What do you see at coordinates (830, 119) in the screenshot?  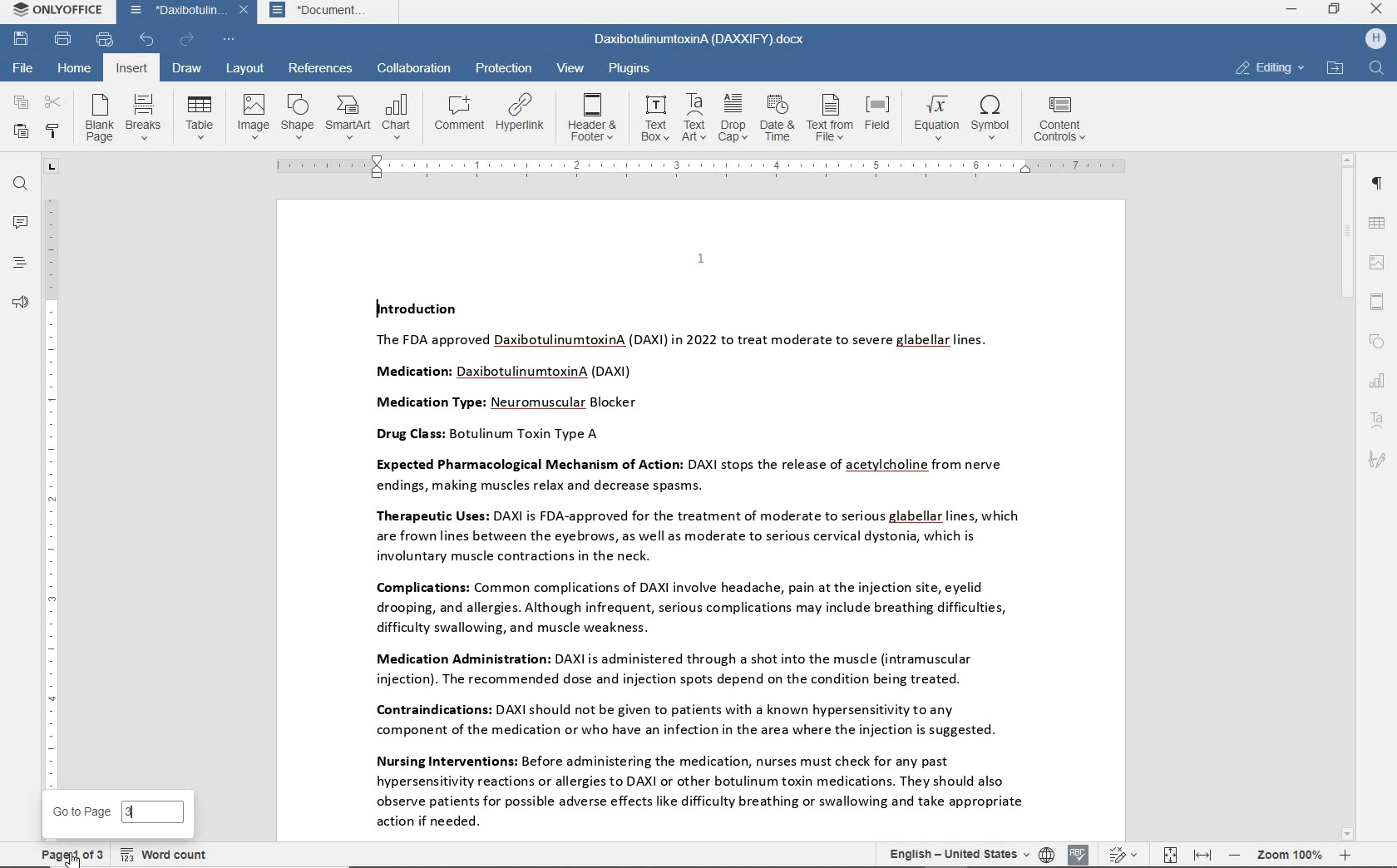 I see `text from file` at bounding box center [830, 119].